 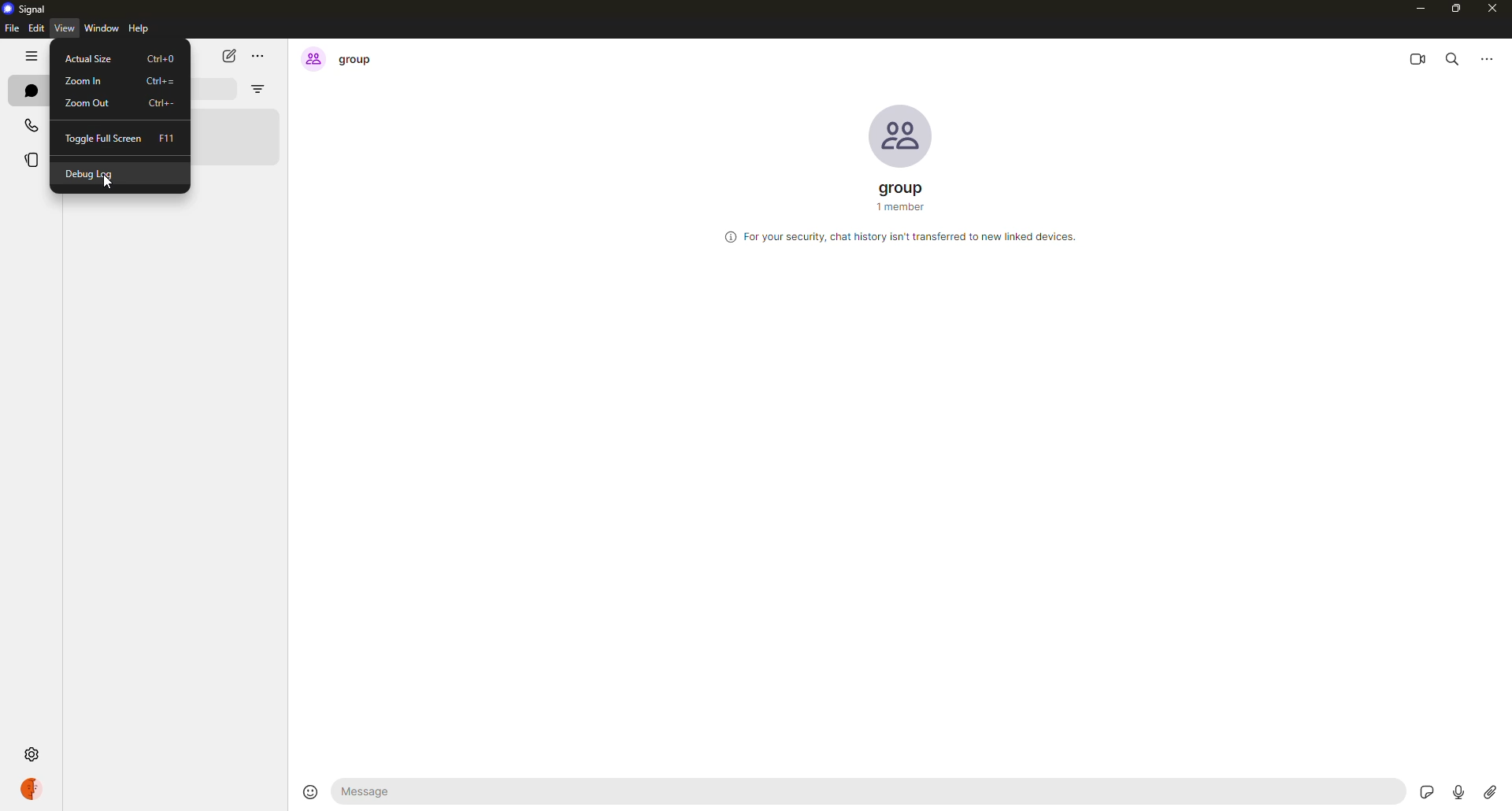 What do you see at coordinates (35, 29) in the screenshot?
I see `edit` at bounding box center [35, 29].